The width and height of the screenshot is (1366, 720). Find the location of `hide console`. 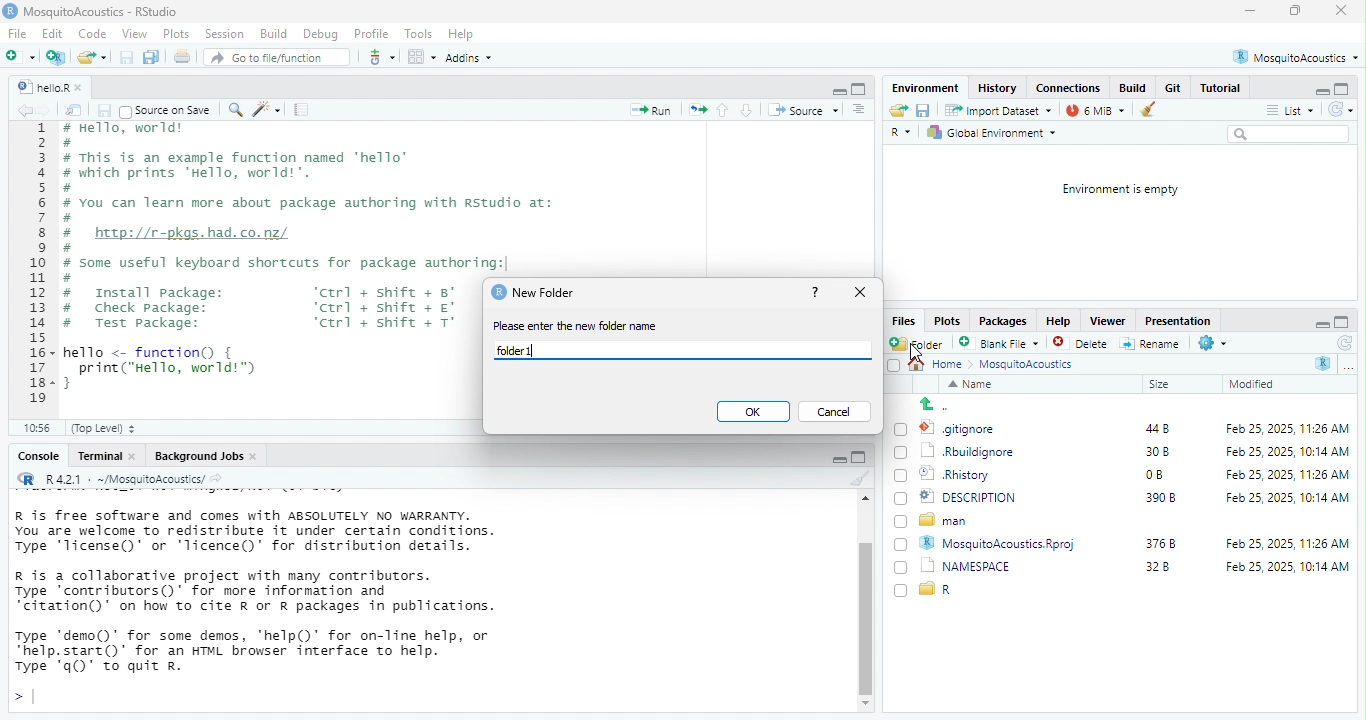

hide console is located at coordinates (861, 460).